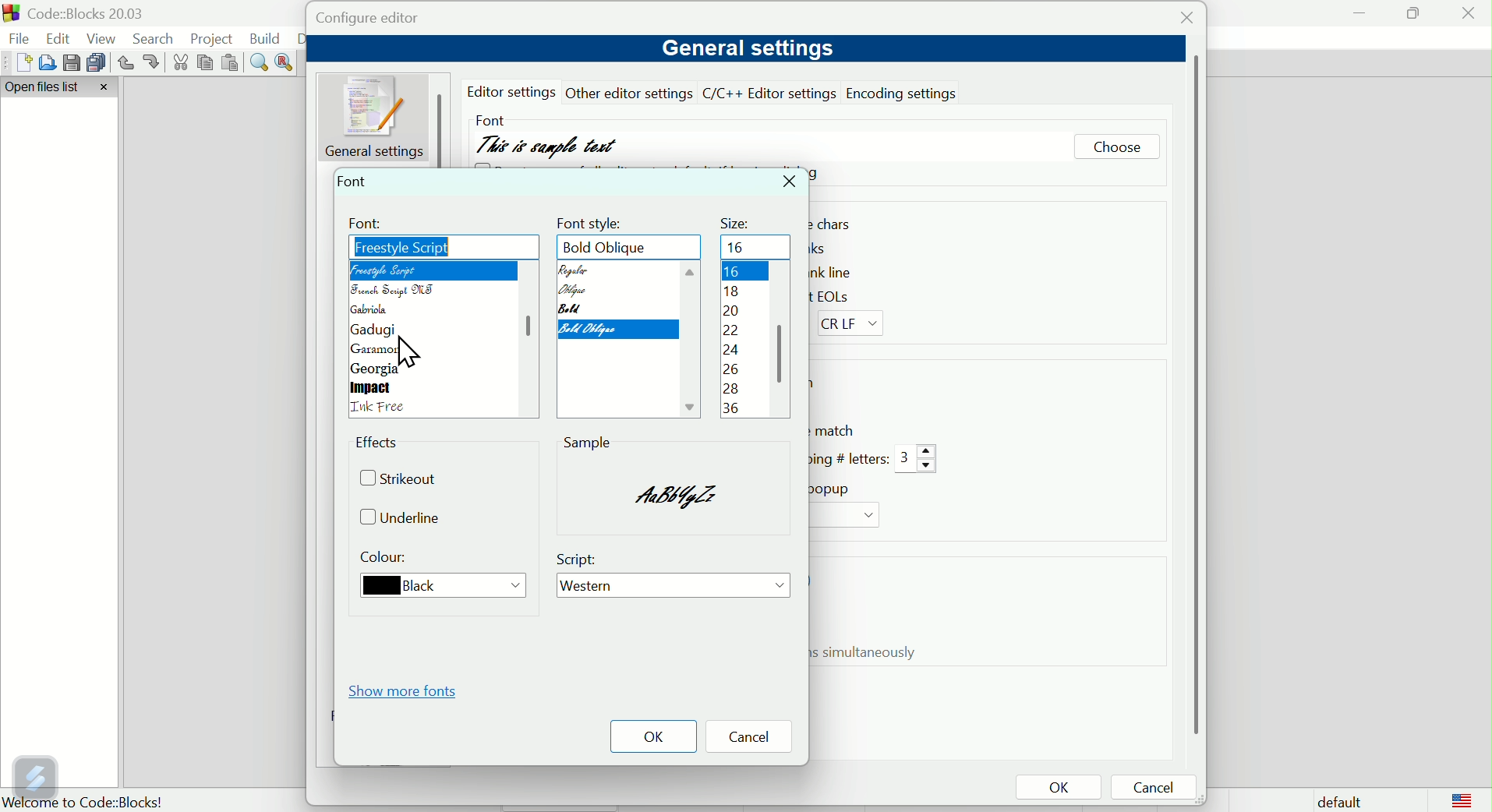 Image resolution: width=1492 pixels, height=812 pixels. What do you see at coordinates (408, 690) in the screenshot?
I see `Show More fonts` at bounding box center [408, 690].